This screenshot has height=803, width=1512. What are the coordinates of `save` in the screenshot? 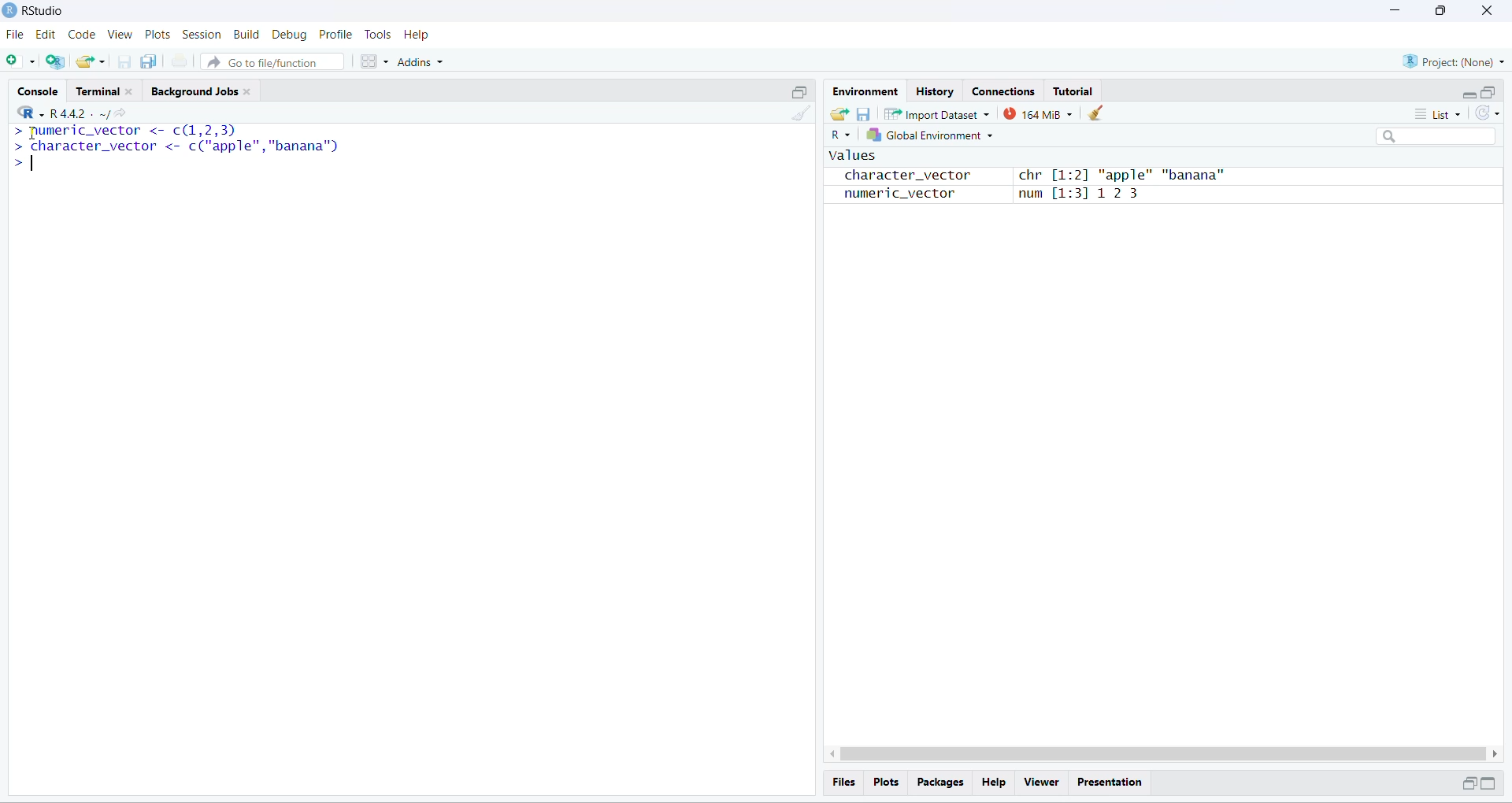 It's located at (862, 114).